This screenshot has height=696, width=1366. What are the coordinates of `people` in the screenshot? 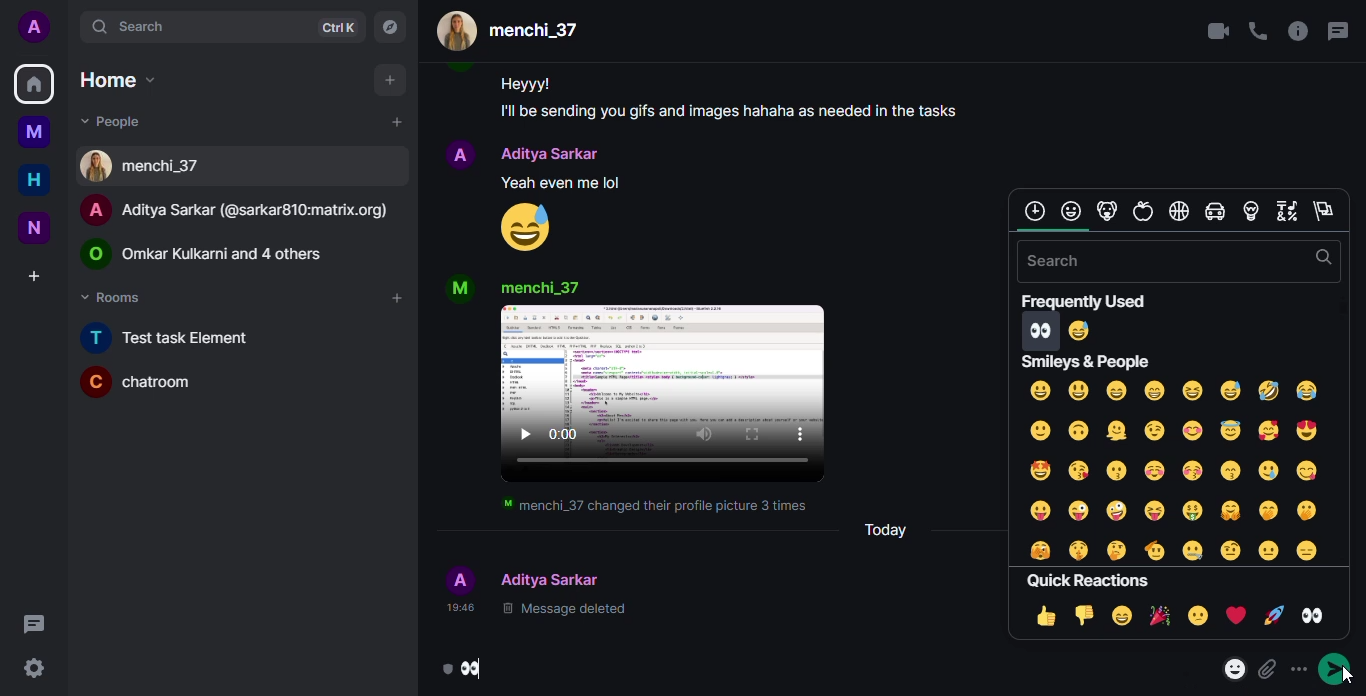 It's located at (541, 286).